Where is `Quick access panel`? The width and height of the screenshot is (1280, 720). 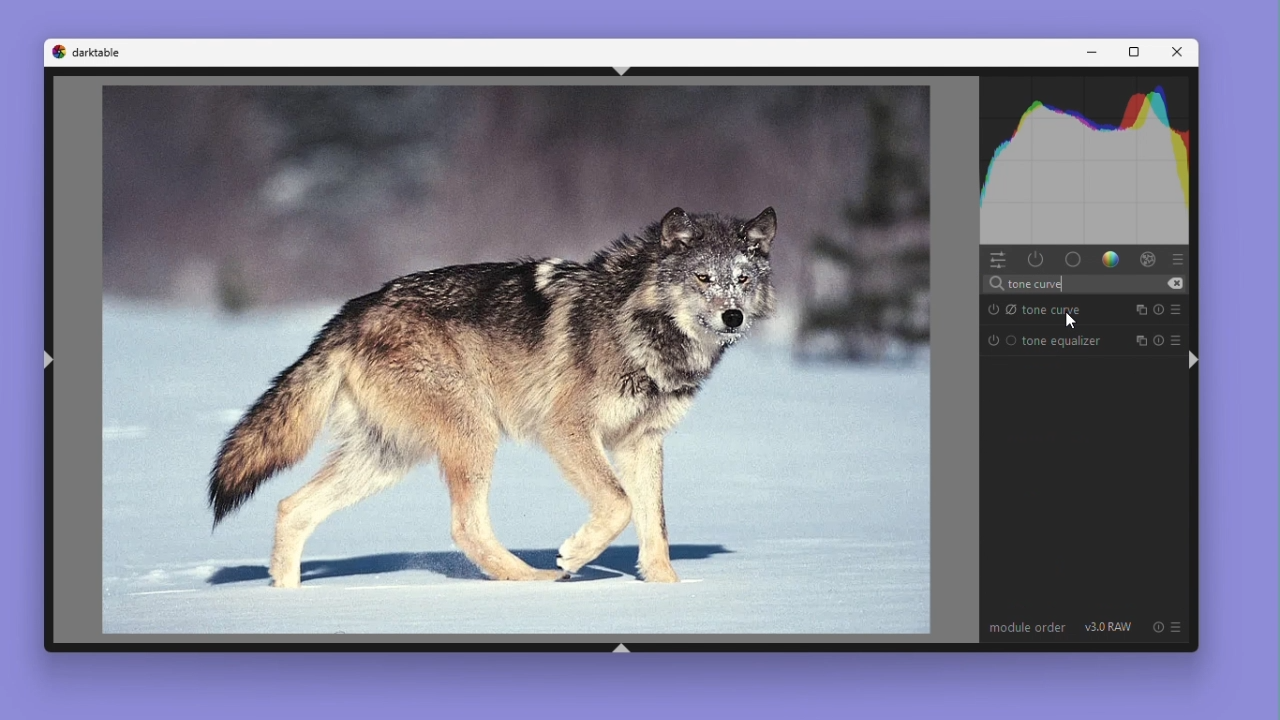 Quick access panel is located at coordinates (998, 259).